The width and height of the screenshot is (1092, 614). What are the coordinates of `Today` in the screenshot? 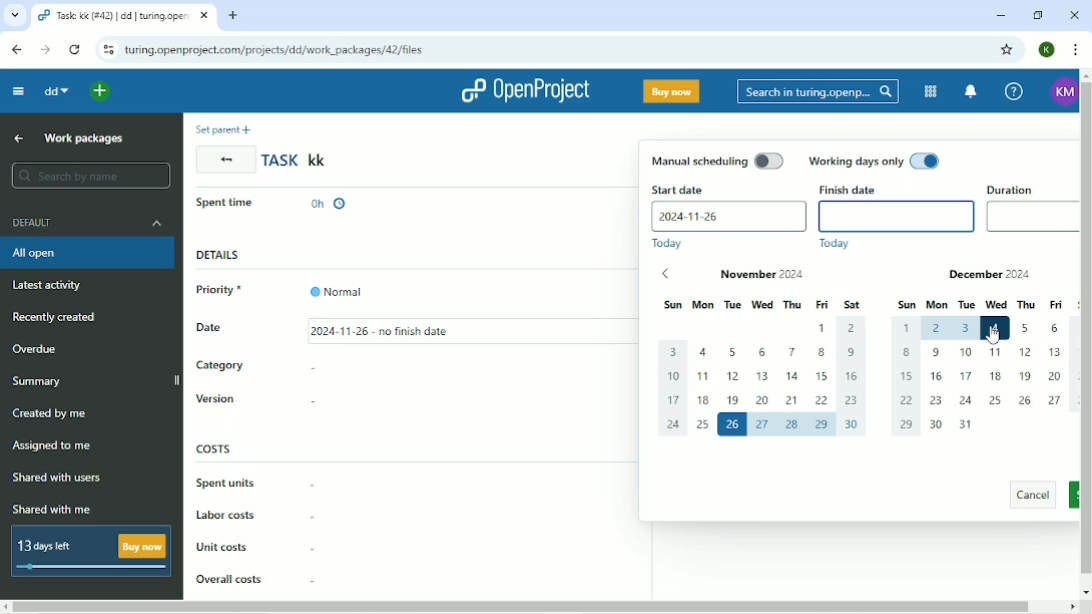 It's located at (674, 245).